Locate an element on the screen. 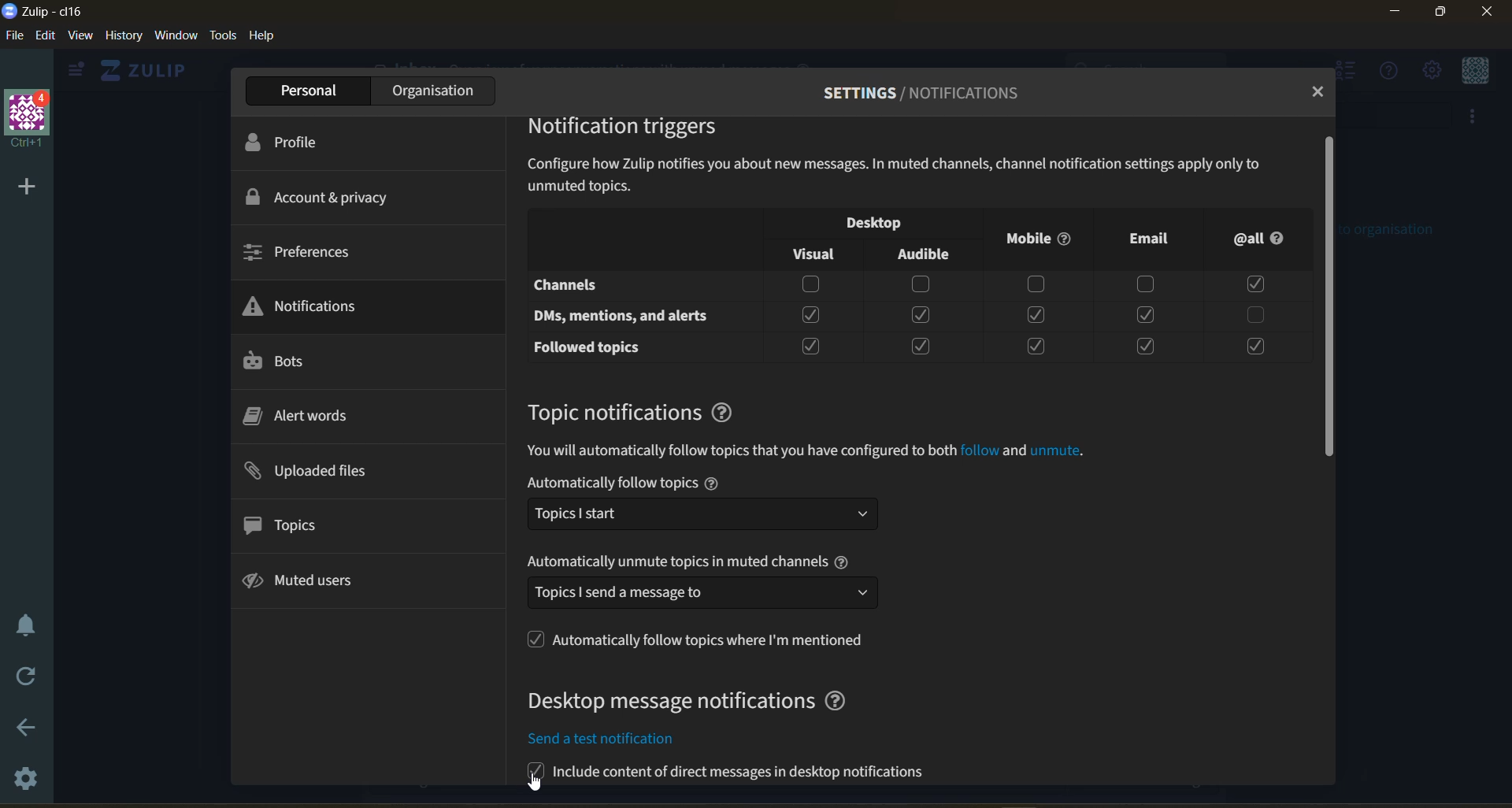  alert words is located at coordinates (307, 414).